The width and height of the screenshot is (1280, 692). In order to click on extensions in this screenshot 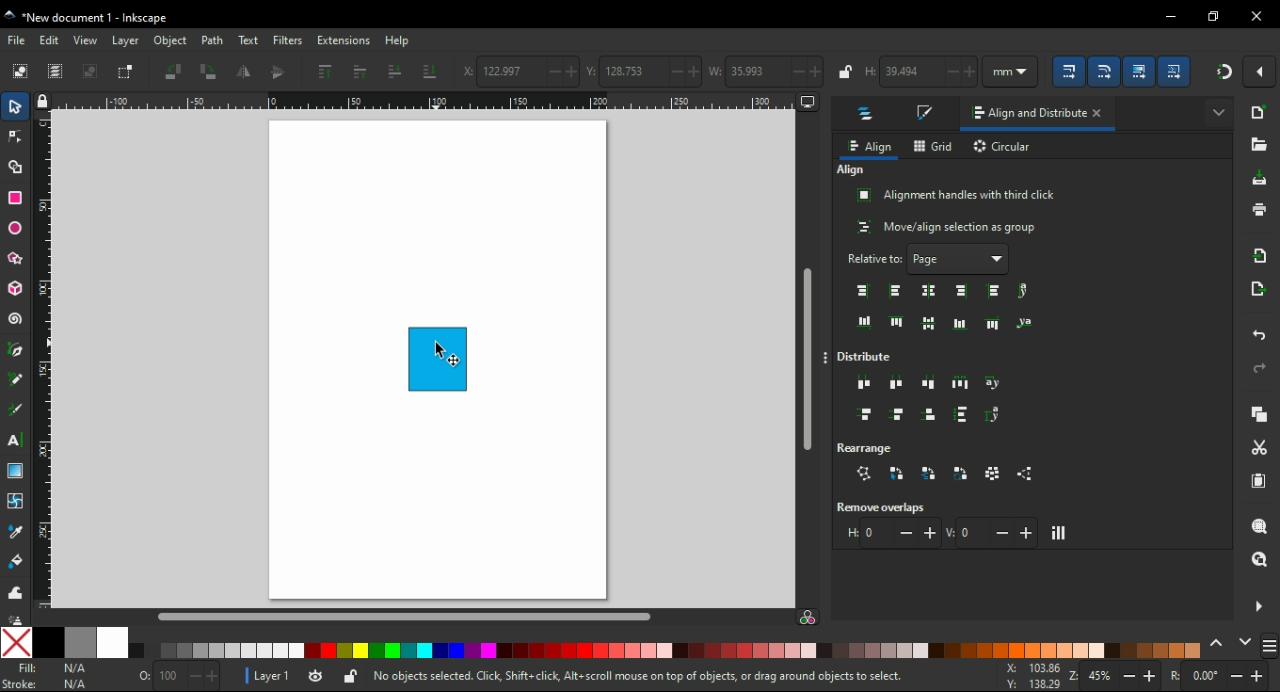, I will do `click(345, 41)`.